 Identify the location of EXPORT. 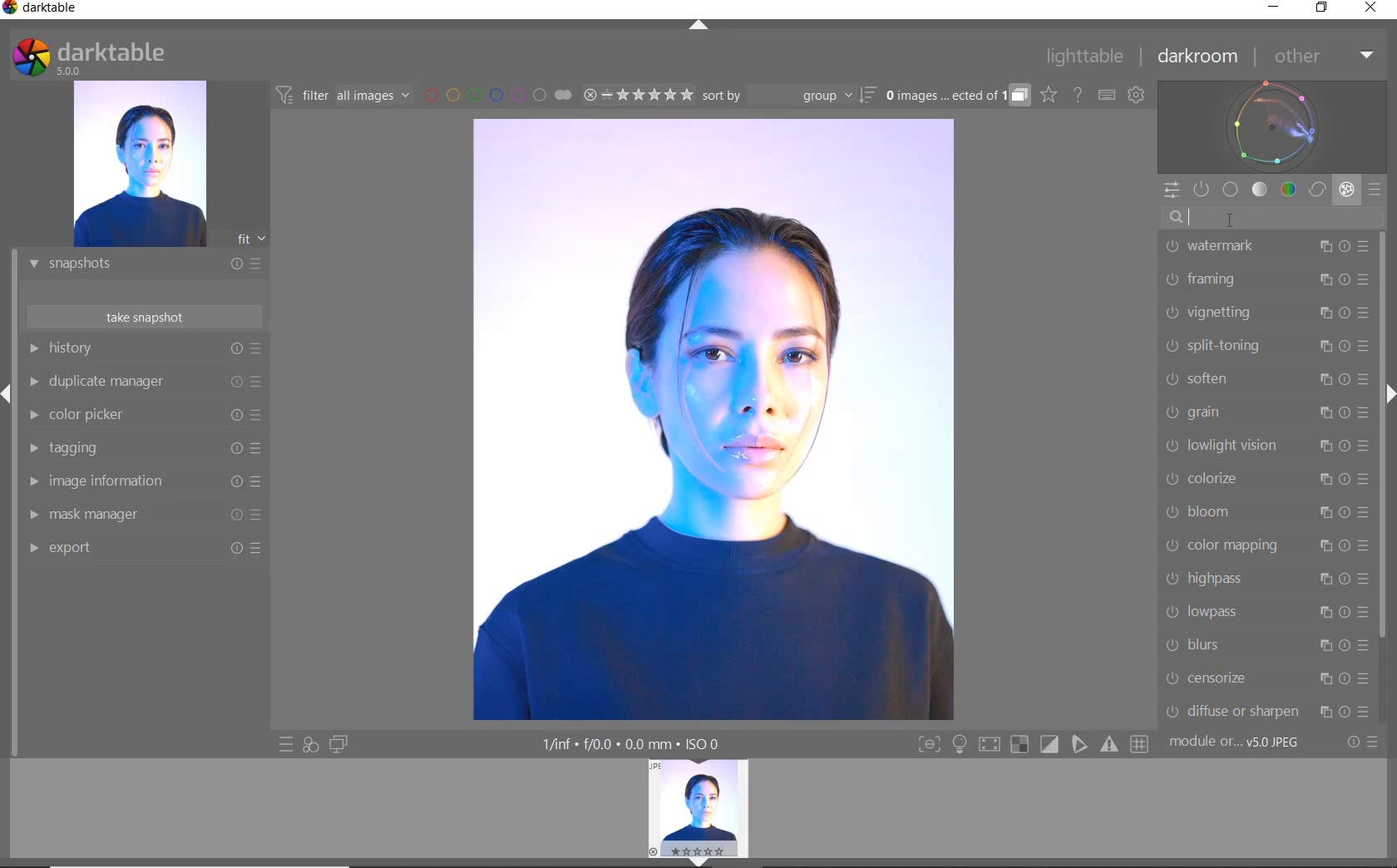
(139, 547).